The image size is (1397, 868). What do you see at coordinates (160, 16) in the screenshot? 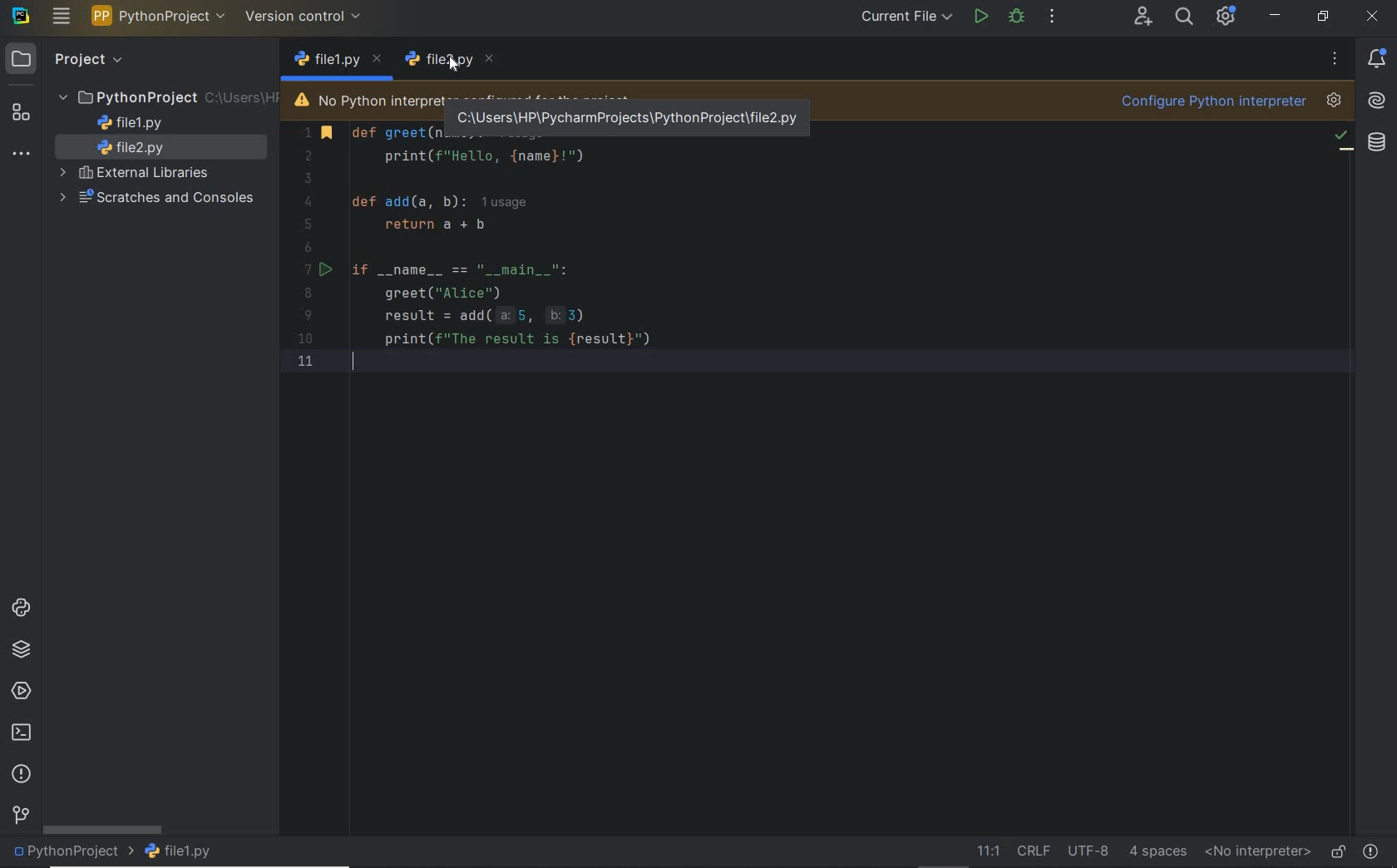
I see `project name` at bounding box center [160, 16].